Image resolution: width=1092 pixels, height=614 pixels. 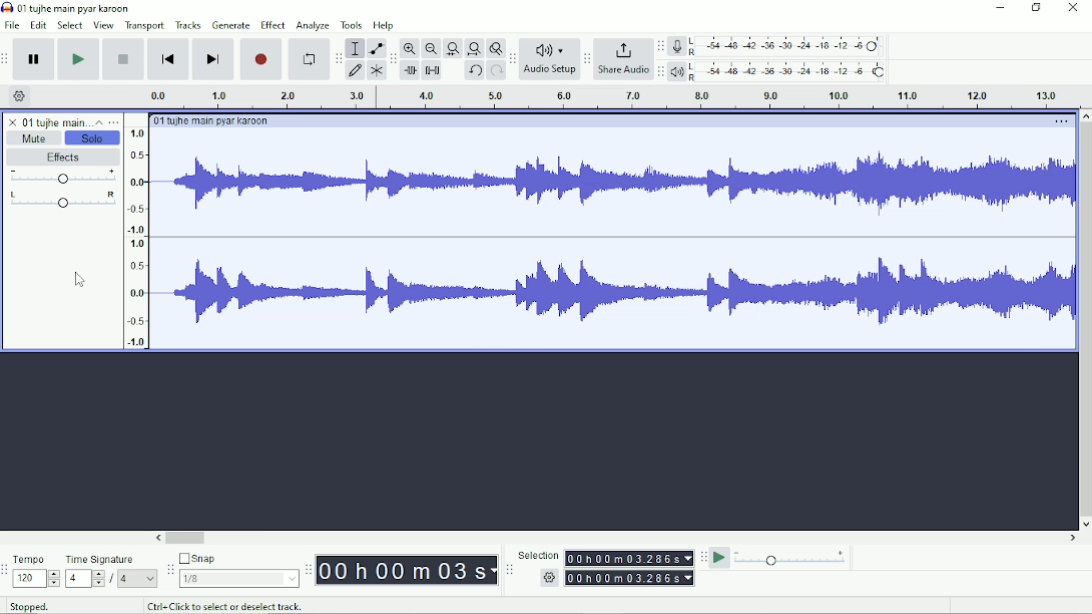 What do you see at coordinates (5, 58) in the screenshot?
I see `Audacity transport toolbar` at bounding box center [5, 58].